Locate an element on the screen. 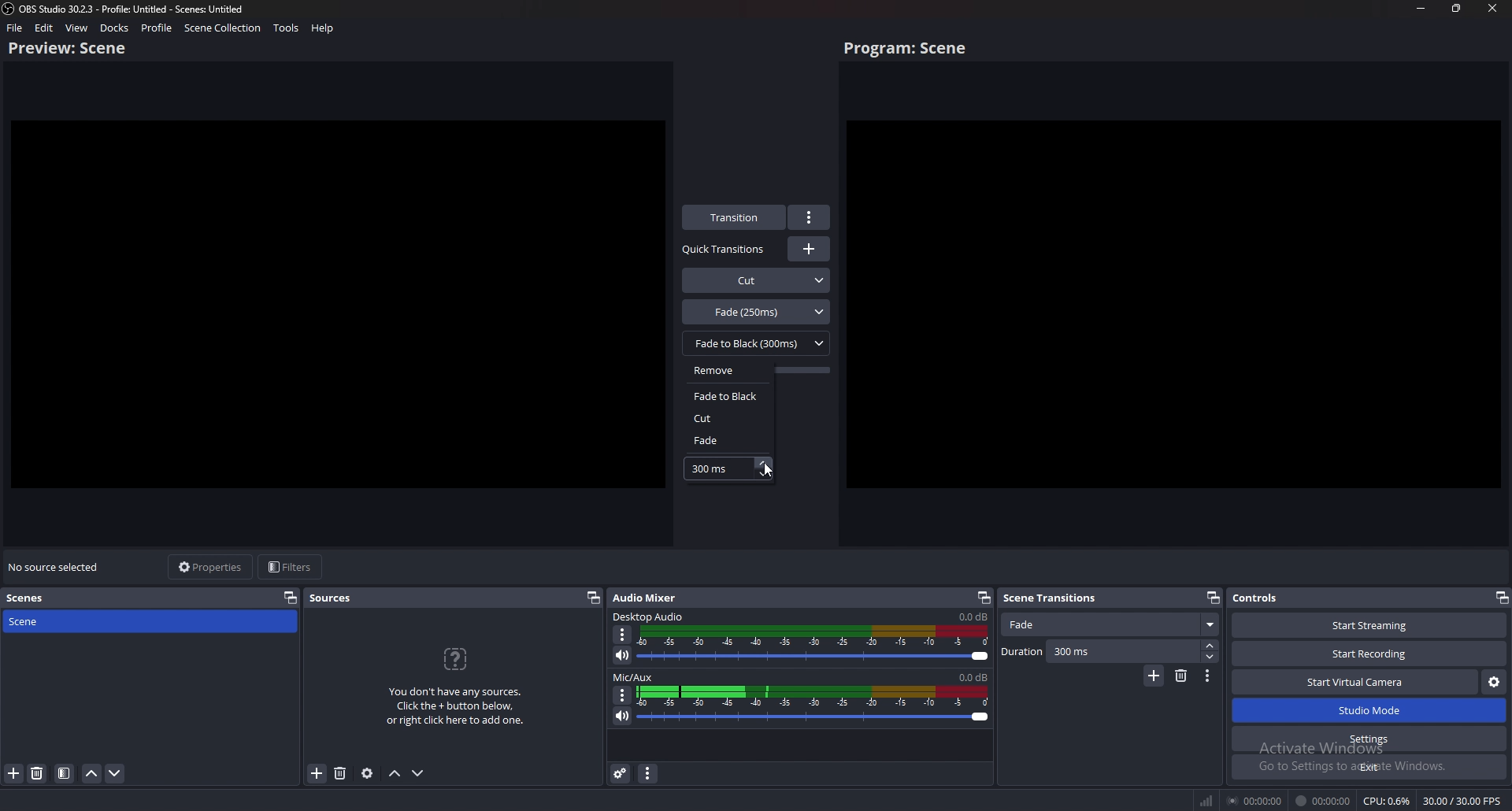 Image resolution: width=1512 pixels, height=811 pixels. fade(250ms) is located at coordinates (757, 311).